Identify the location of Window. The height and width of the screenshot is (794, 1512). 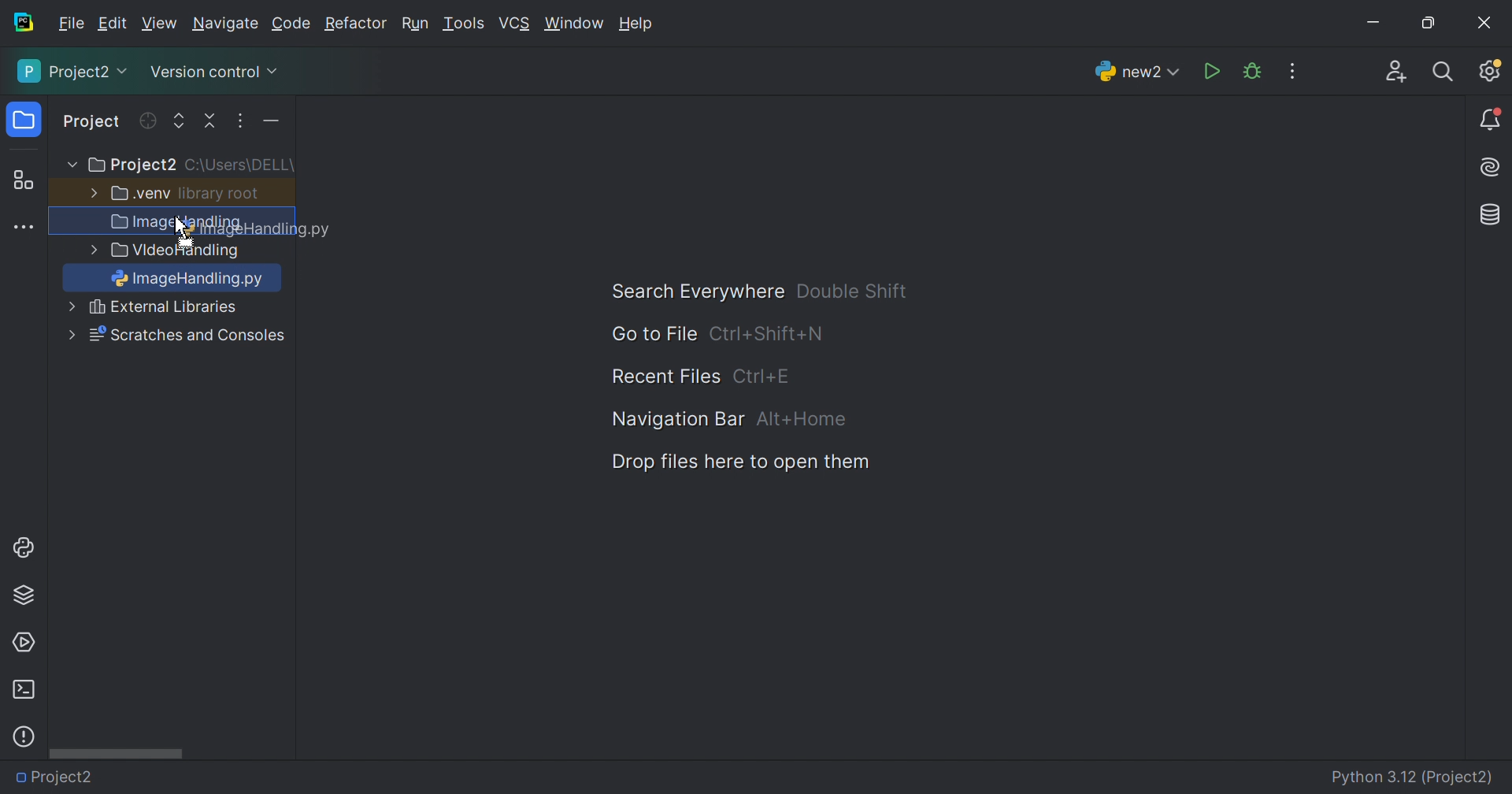
(575, 25).